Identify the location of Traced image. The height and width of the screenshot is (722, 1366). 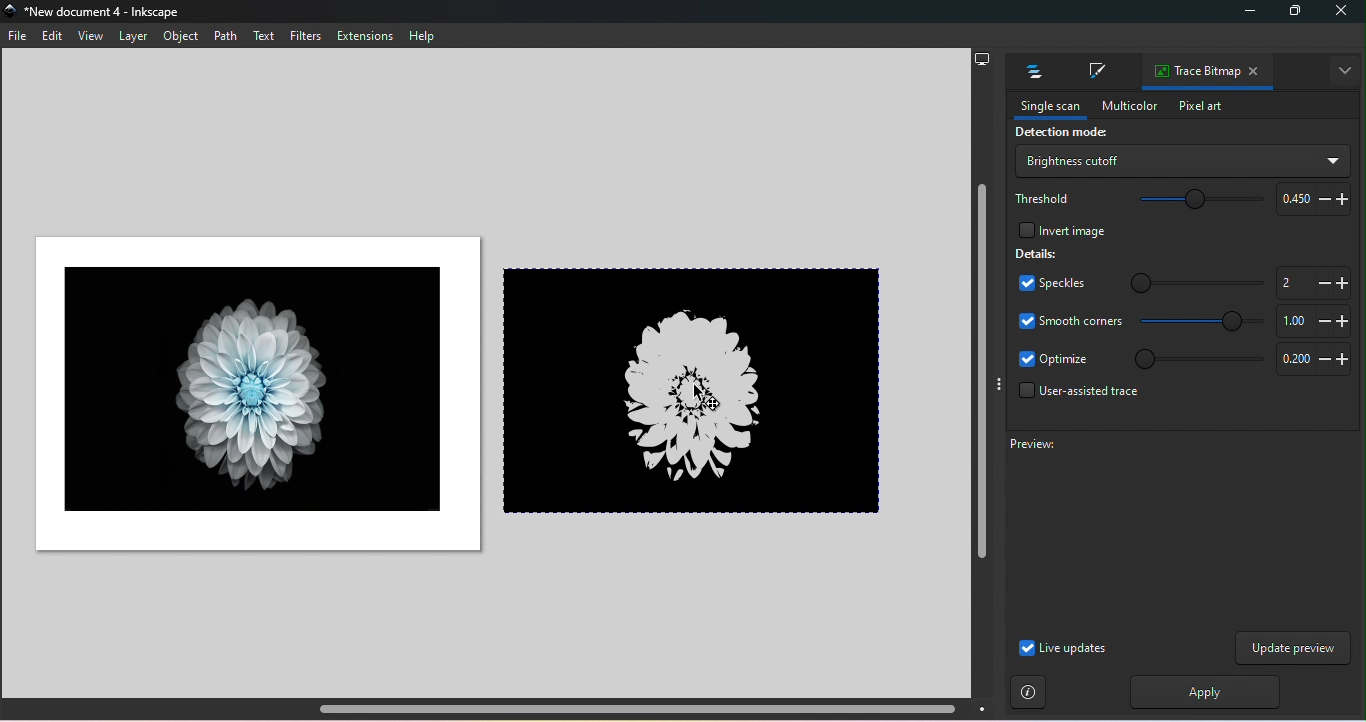
(699, 388).